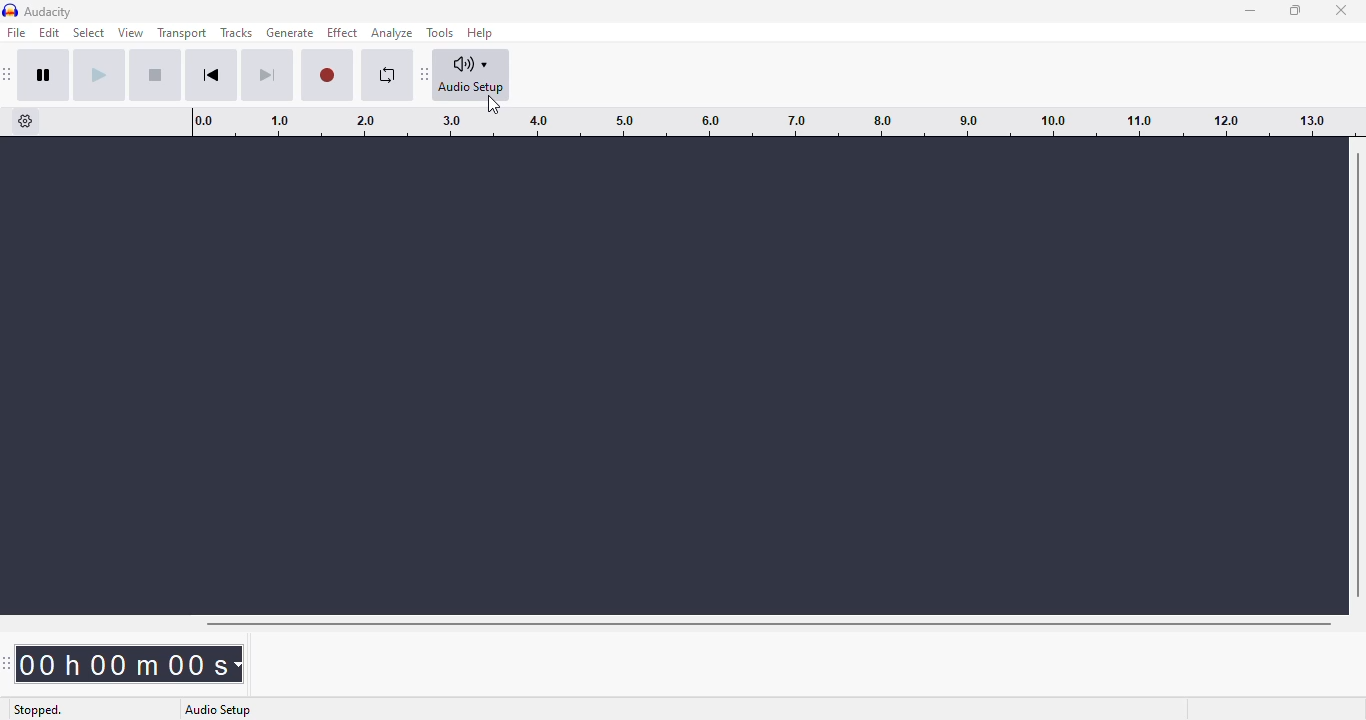 The width and height of the screenshot is (1366, 720). Describe the element at coordinates (49, 12) in the screenshot. I see `audacity` at that location.